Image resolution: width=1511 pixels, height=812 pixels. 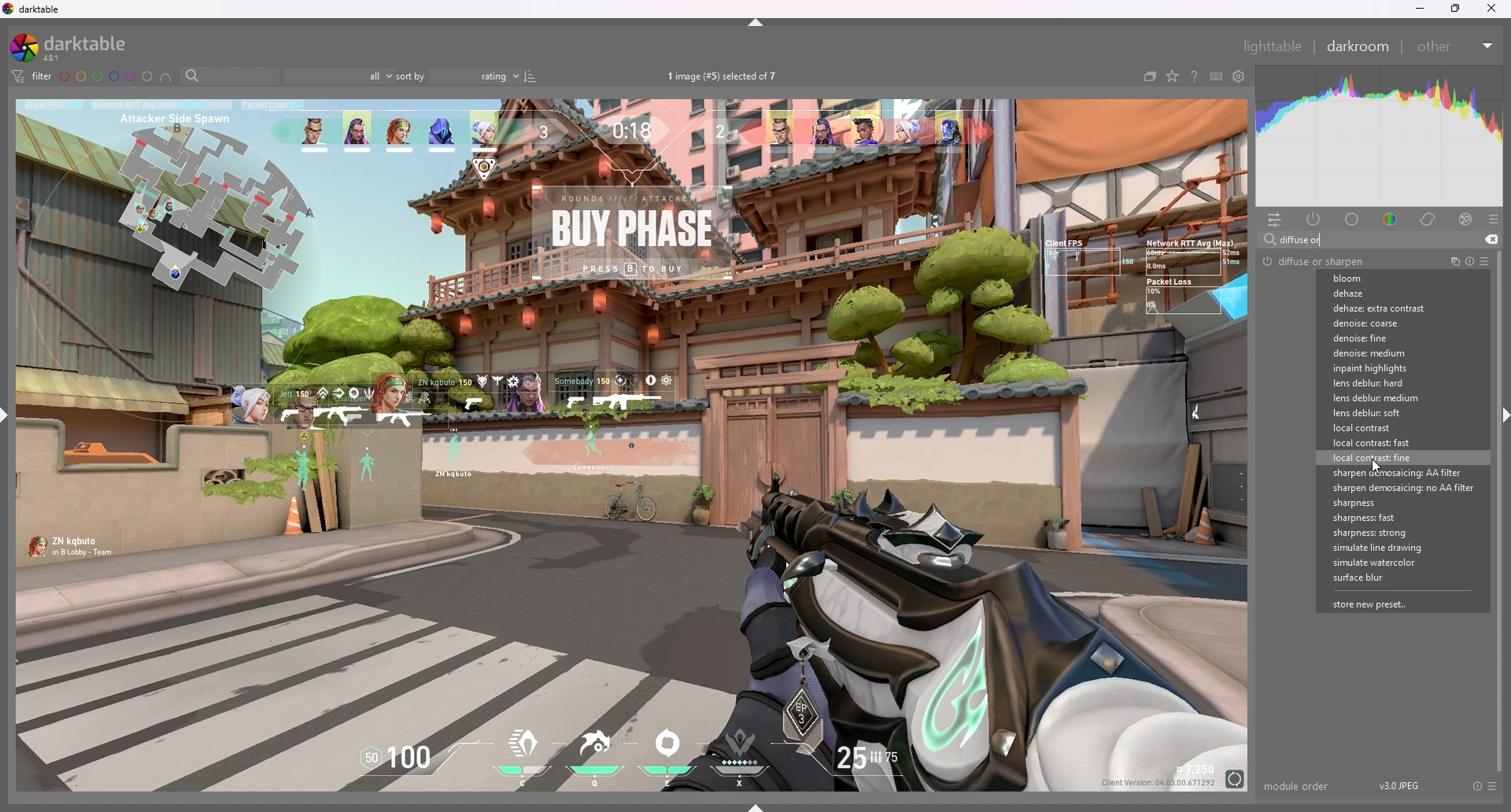 What do you see at coordinates (532, 77) in the screenshot?
I see `reverse sort order` at bounding box center [532, 77].